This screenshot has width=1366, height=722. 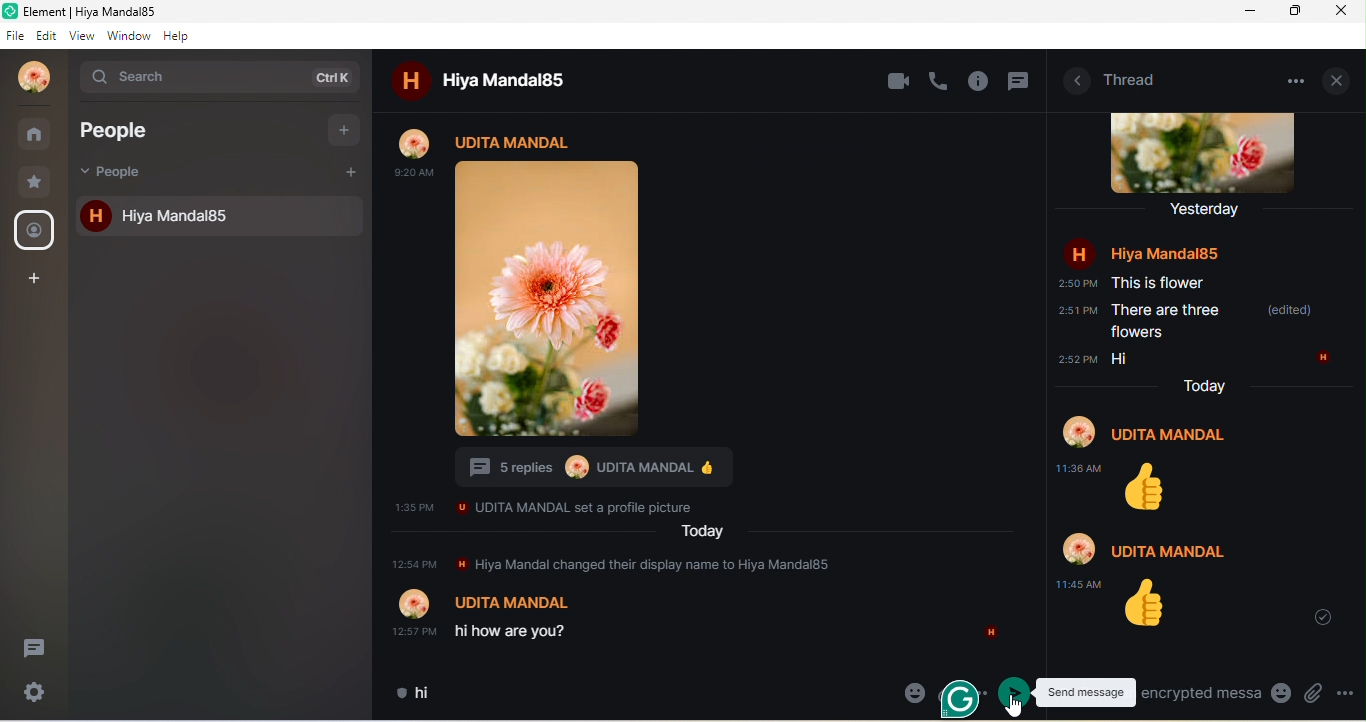 I want to click on 12:57 PM, so click(x=416, y=631).